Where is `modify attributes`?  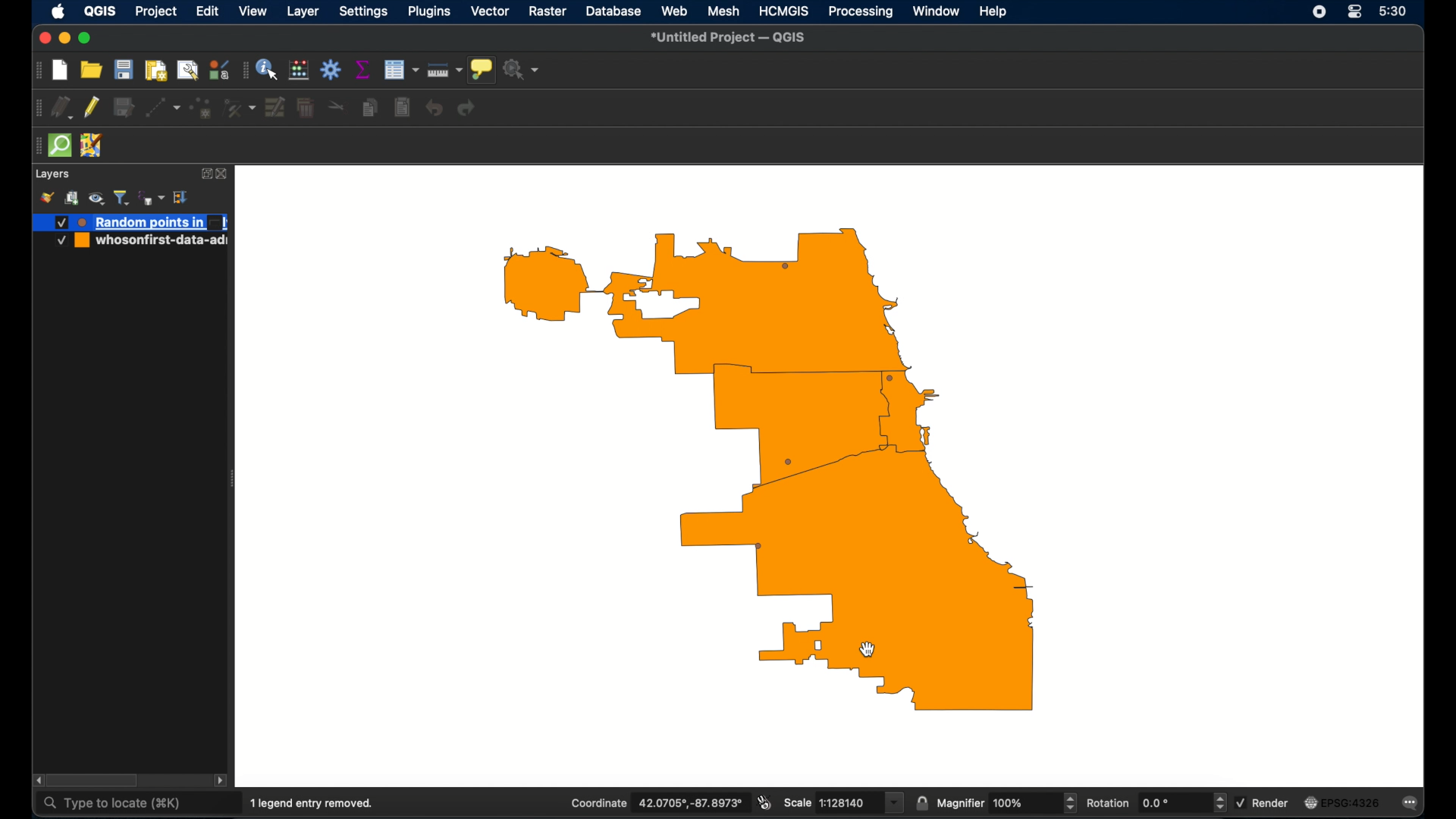
modify attributes is located at coordinates (275, 106).